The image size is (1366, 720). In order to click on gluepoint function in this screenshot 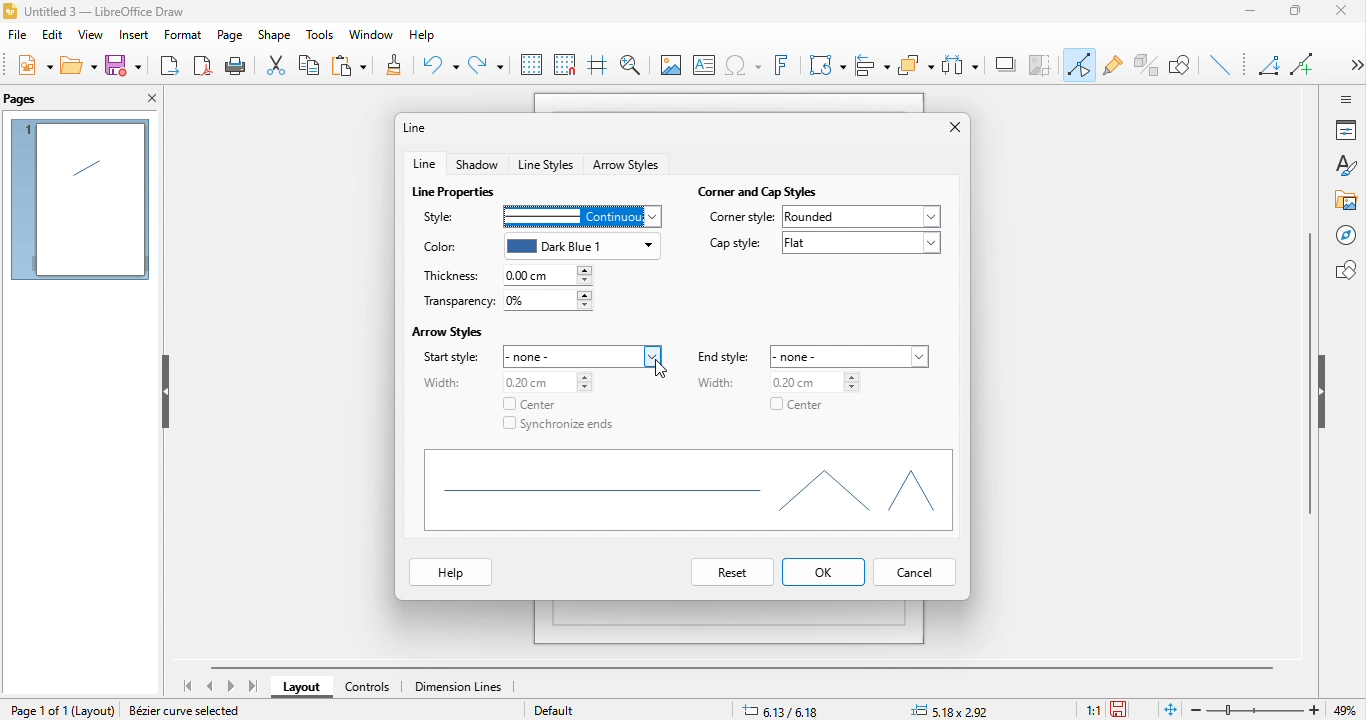, I will do `click(1114, 67)`.